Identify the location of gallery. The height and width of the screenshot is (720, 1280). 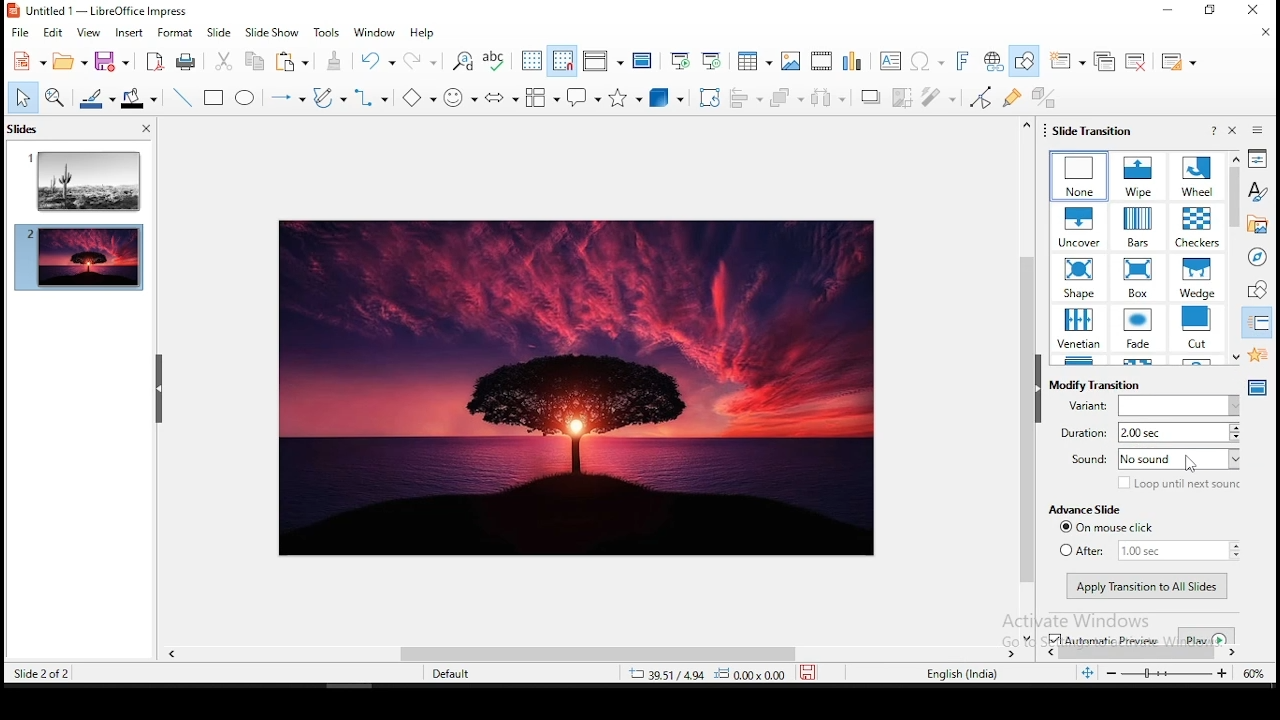
(1259, 225).